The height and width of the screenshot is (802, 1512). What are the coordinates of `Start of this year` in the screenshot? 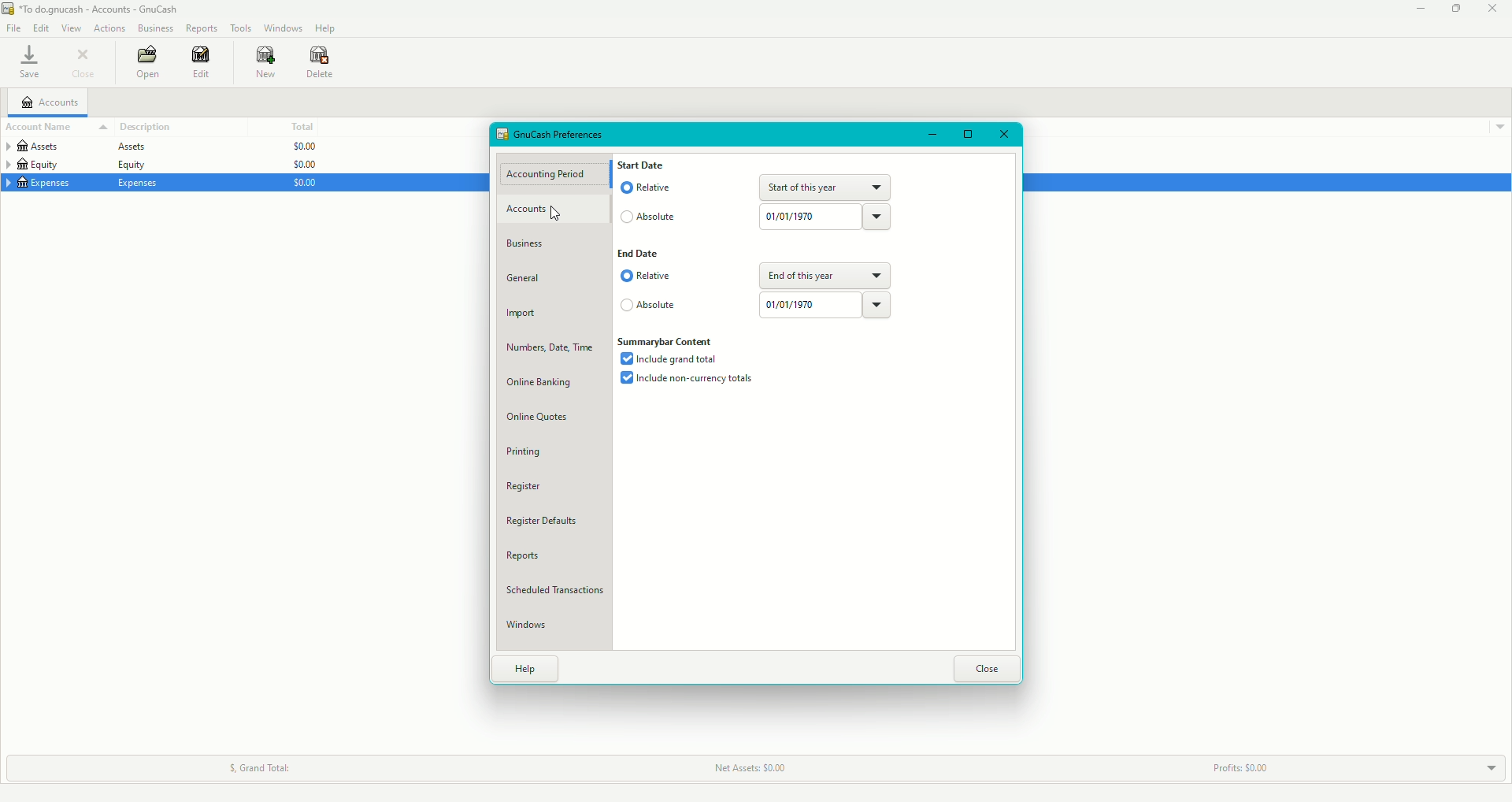 It's located at (824, 188).